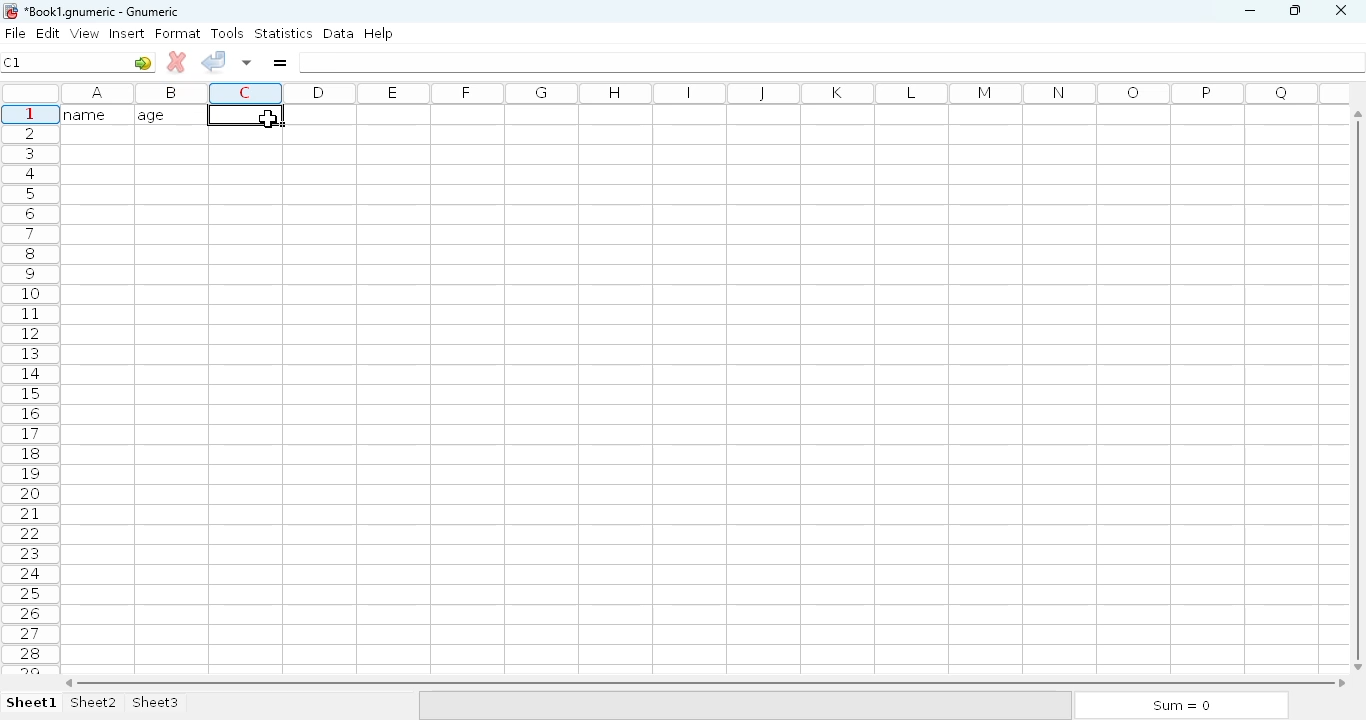  I want to click on cancel change, so click(177, 62).